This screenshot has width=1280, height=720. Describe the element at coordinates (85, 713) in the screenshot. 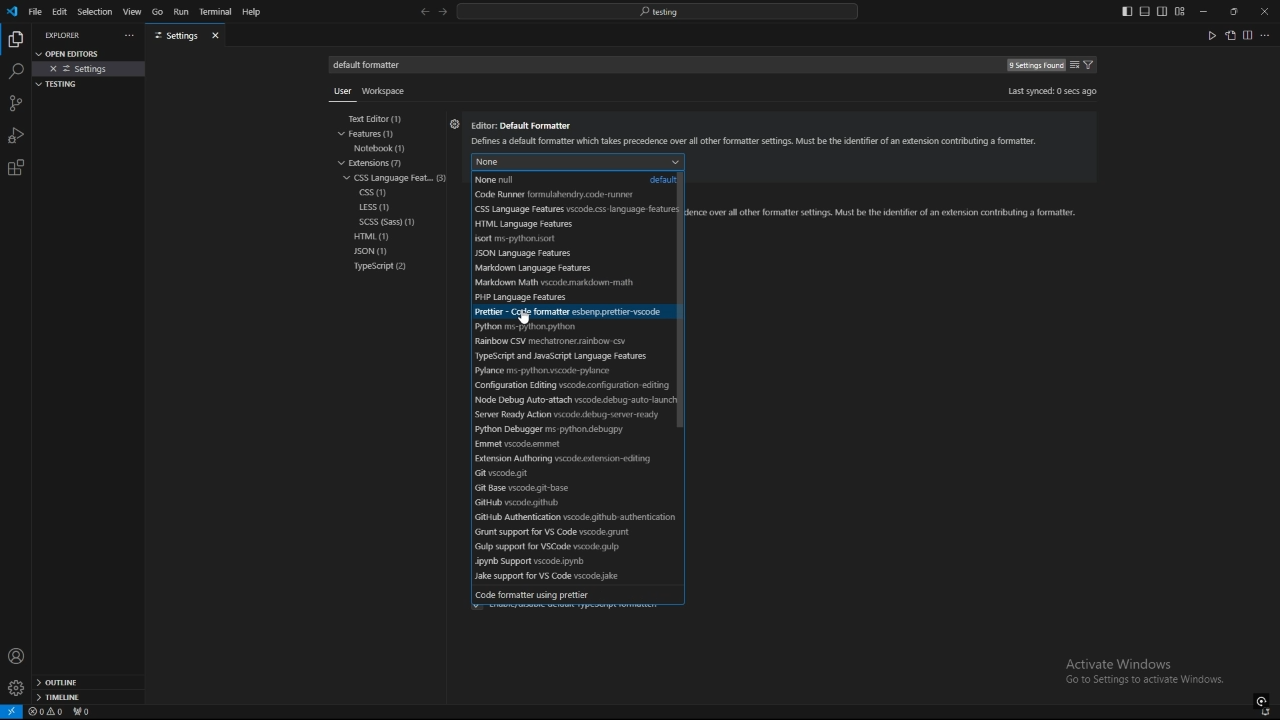

I see `ports forwarded` at that location.